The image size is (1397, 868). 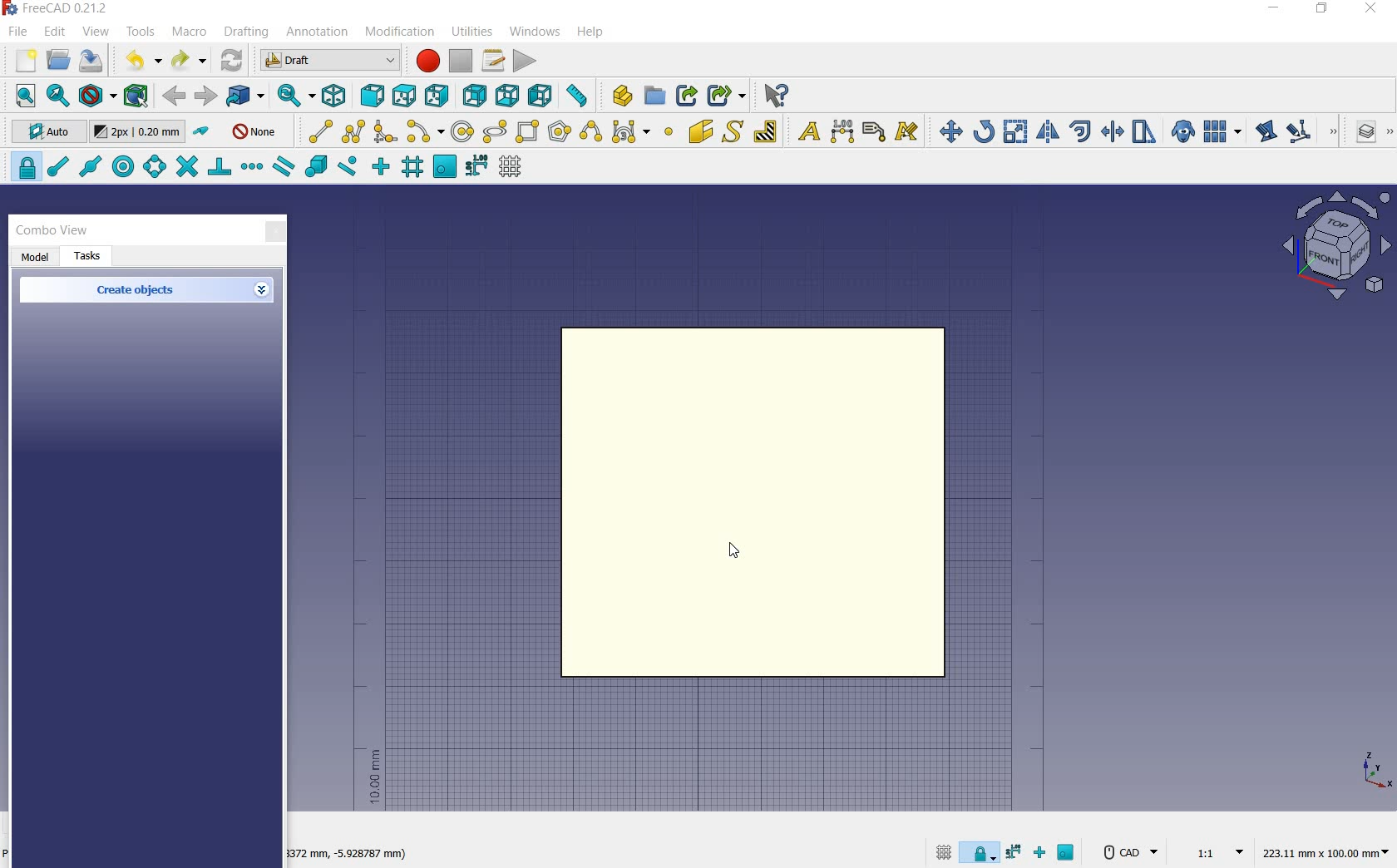 What do you see at coordinates (512, 167) in the screenshot?
I see `toggle grid` at bounding box center [512, 167].